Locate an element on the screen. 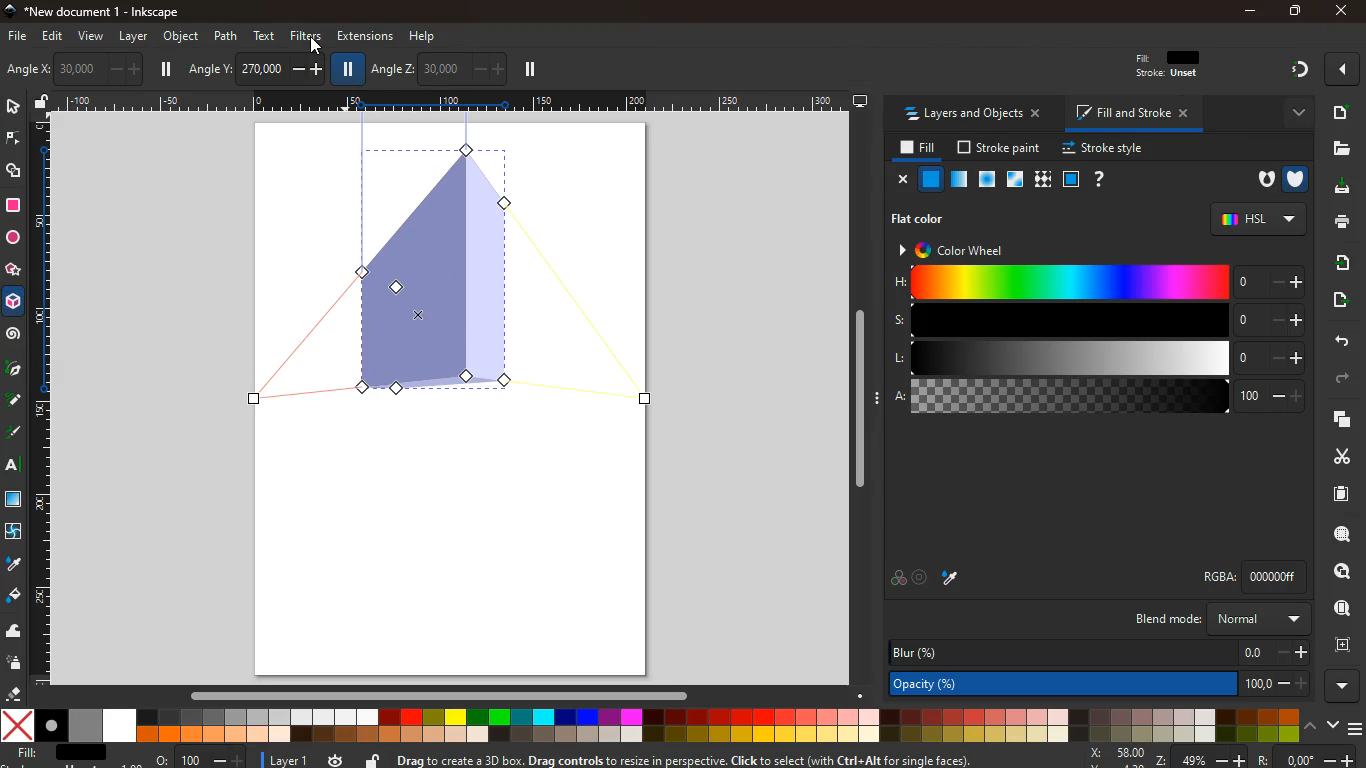 This screenshot has height=768, width=1366. glass is located at coordinates (1013, 180).